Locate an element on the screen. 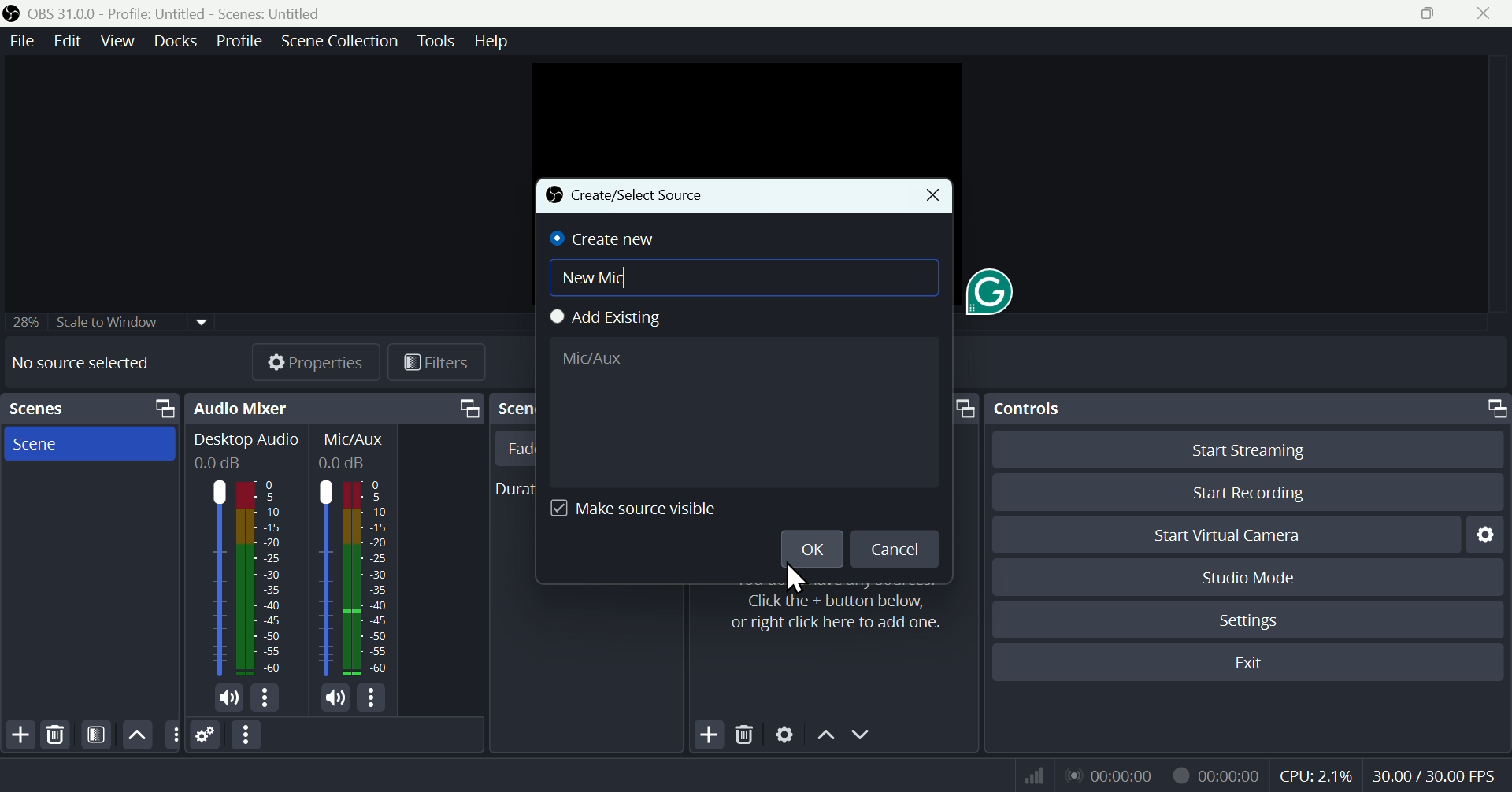 Image resolution: width=1512 pixels, height=792 pixels. help is located at coordinates (491, 41).